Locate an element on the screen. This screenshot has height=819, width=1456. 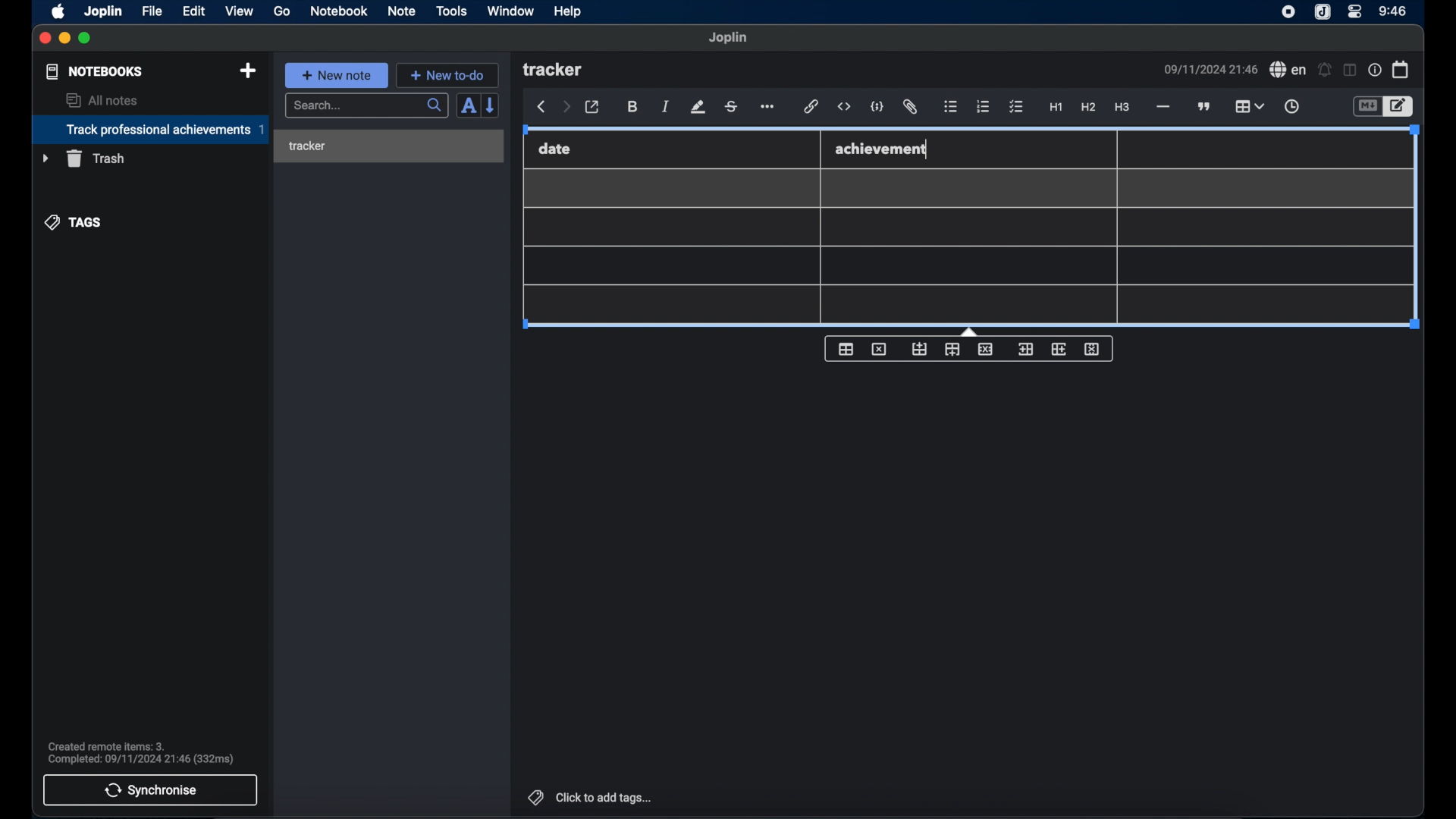
help is located at coordinates (566, 12).